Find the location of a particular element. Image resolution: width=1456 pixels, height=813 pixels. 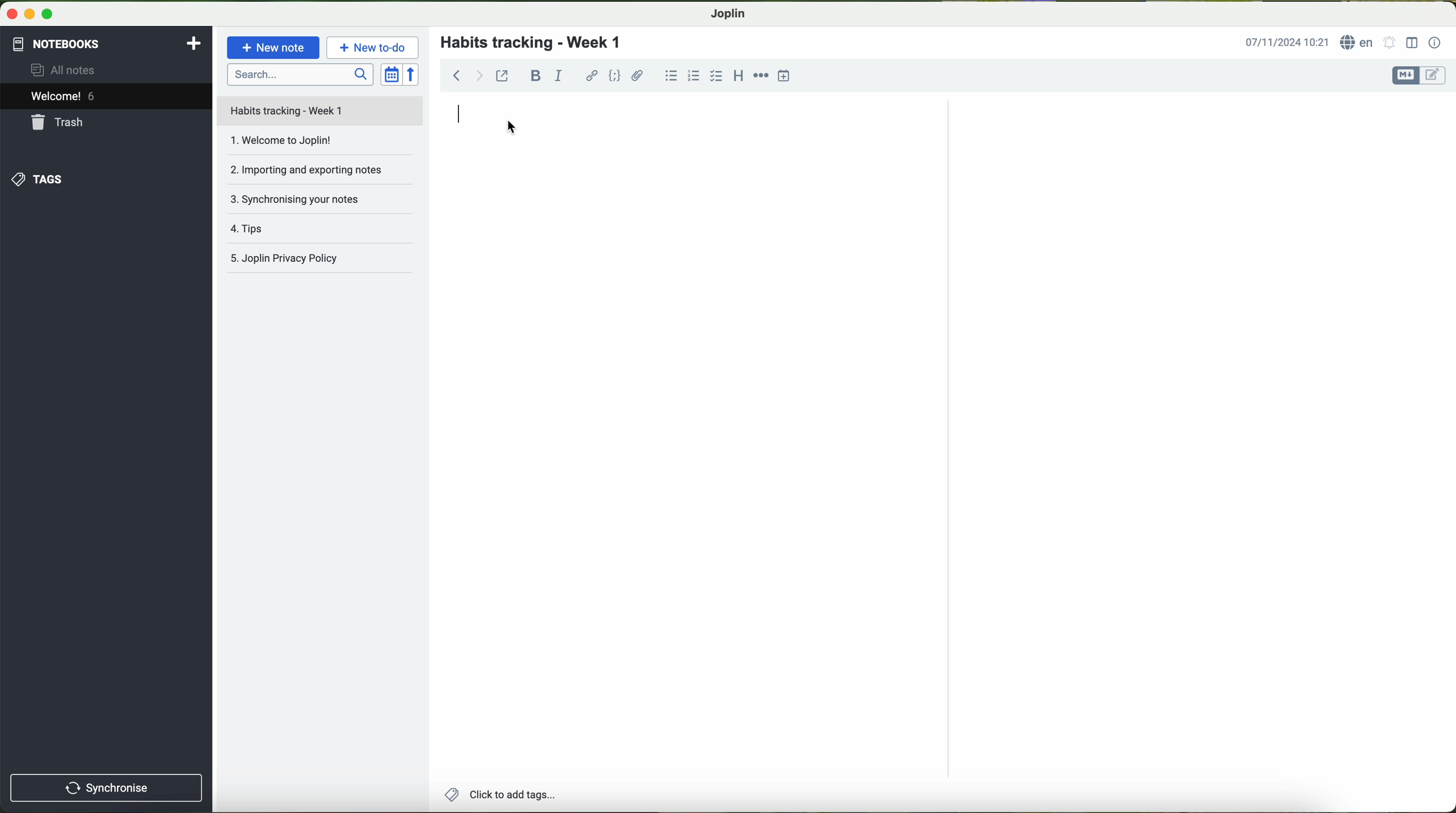

synchronise button is located at coordinates (107, 788).